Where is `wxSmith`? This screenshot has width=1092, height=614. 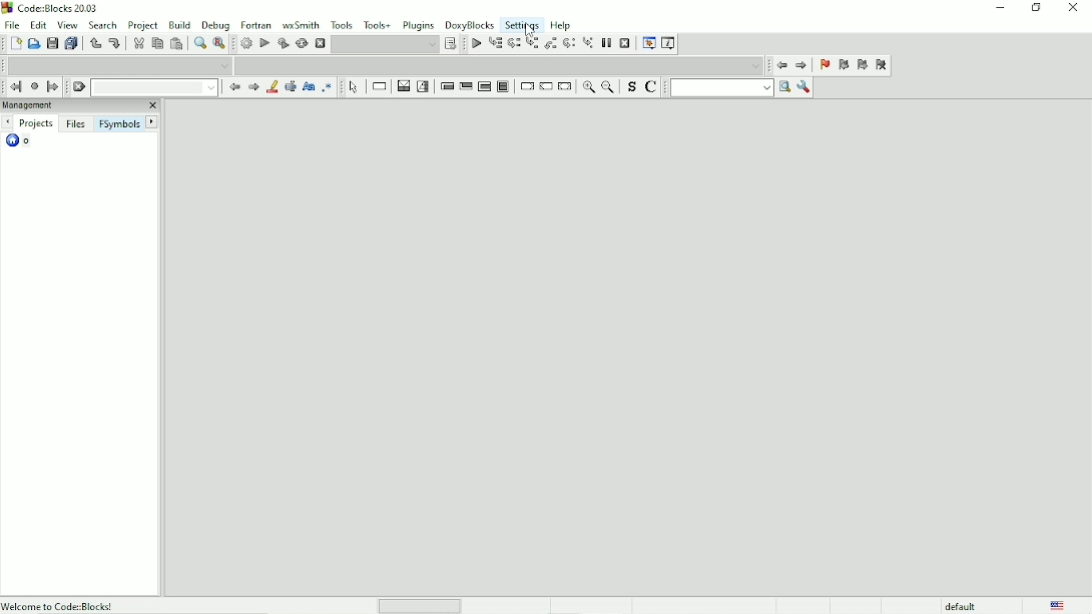 wxSmith is located at coordinates (301, 25).